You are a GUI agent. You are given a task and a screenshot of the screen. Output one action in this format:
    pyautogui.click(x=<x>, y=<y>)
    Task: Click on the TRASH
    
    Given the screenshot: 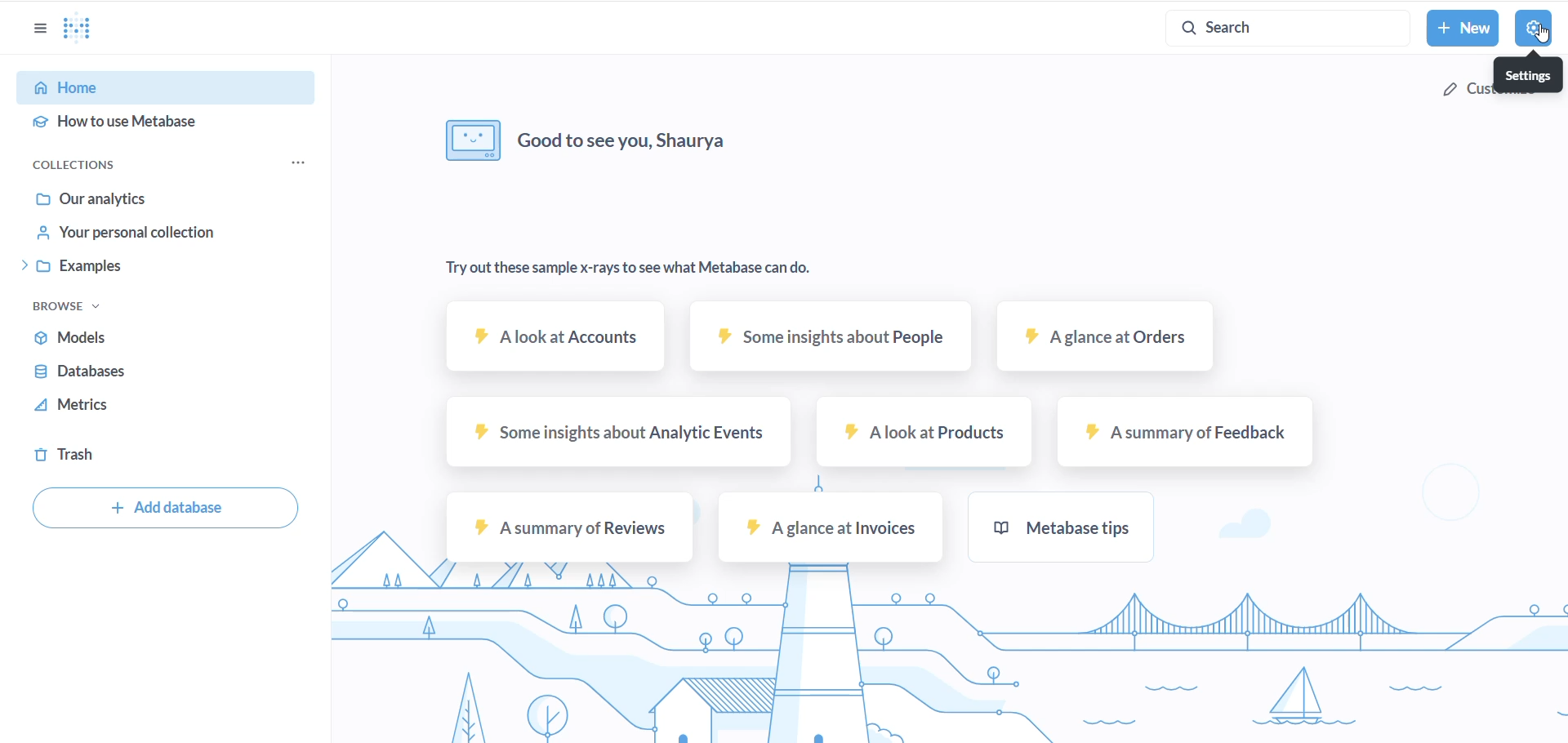 What is the action you would take?
    pyautogui.click(x=68, y=456)
    